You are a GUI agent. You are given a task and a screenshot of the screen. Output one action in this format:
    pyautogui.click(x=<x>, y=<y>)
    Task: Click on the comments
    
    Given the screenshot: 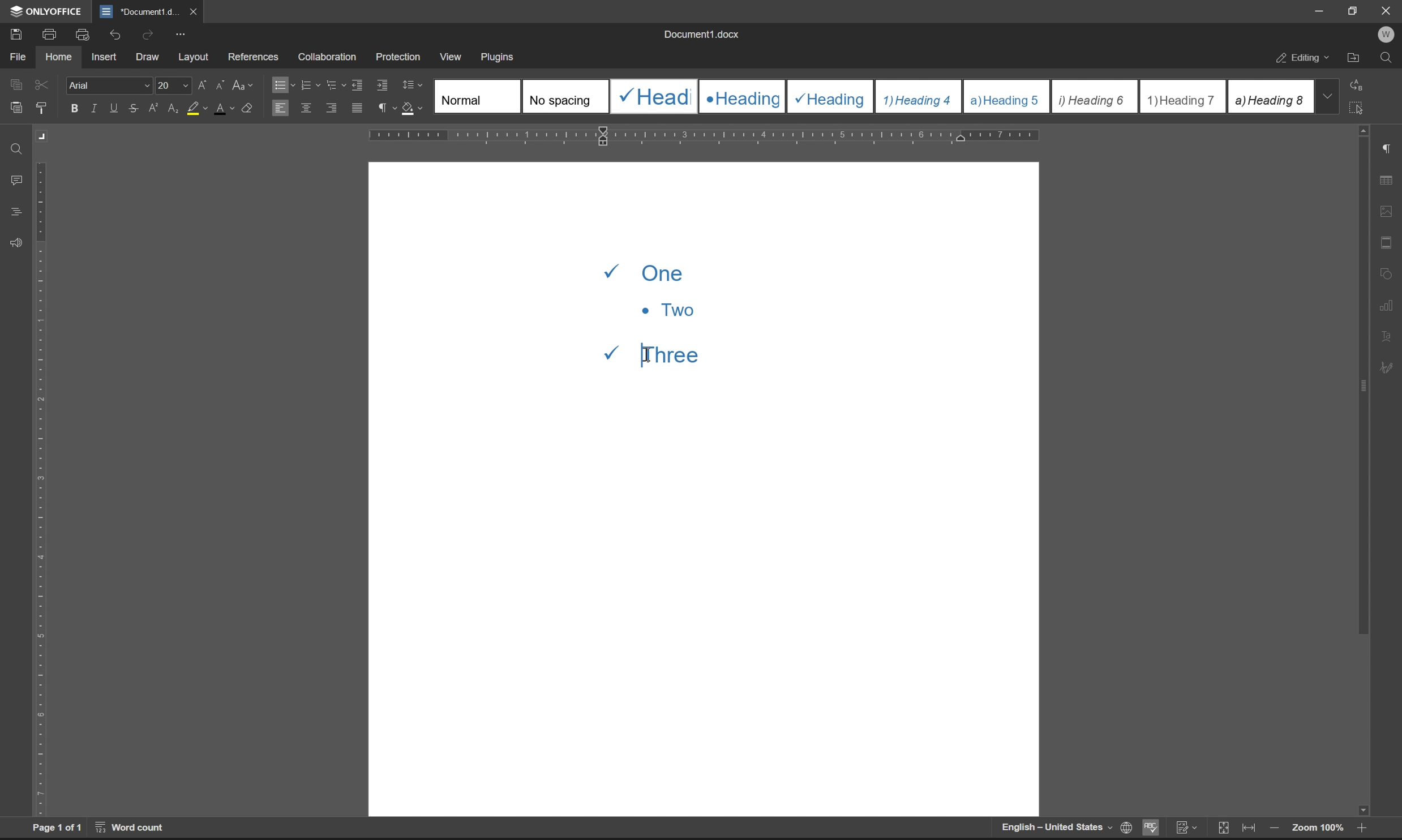 What is the action you would take?
    pyautogui.click(x=19, y=181)
    